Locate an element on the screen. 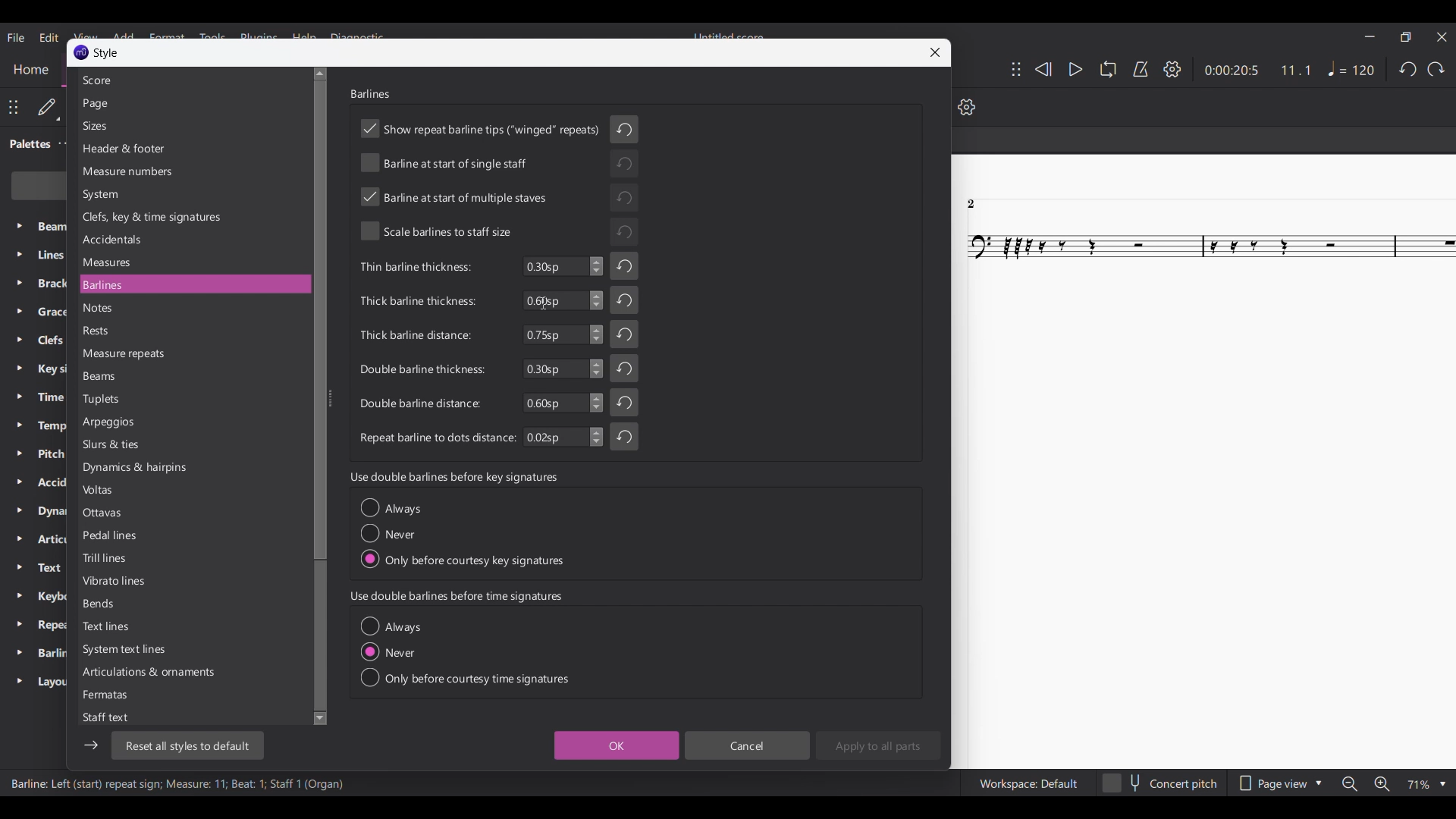 The width and height of the screenshot is (1456, 819). Vertical slide bar is located at coordinates (318, 396).